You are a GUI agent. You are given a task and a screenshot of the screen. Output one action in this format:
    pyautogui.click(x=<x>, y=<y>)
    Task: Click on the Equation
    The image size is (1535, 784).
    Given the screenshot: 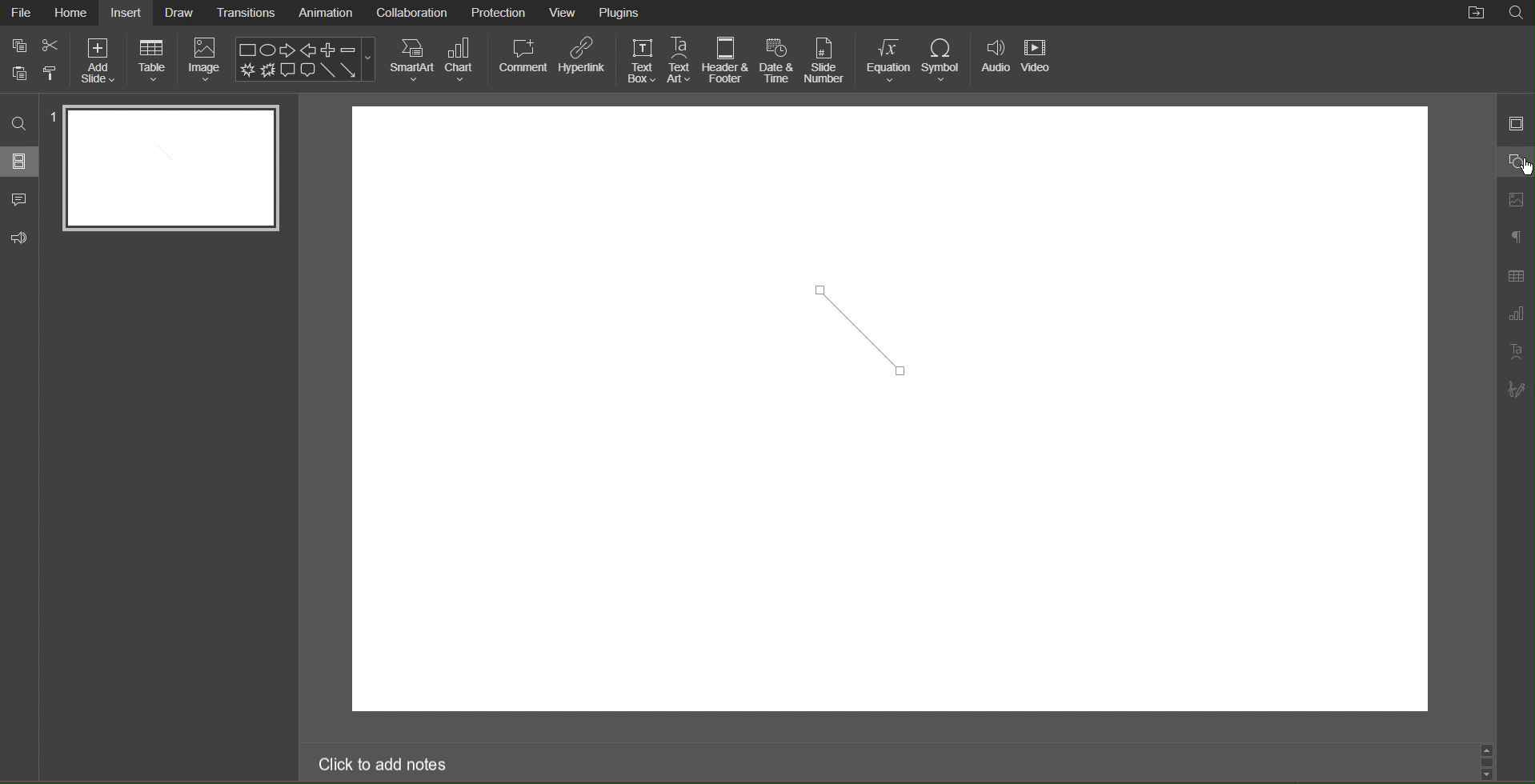 What is the action you would take?
    pyautogui.click(x=889, y=59)
    